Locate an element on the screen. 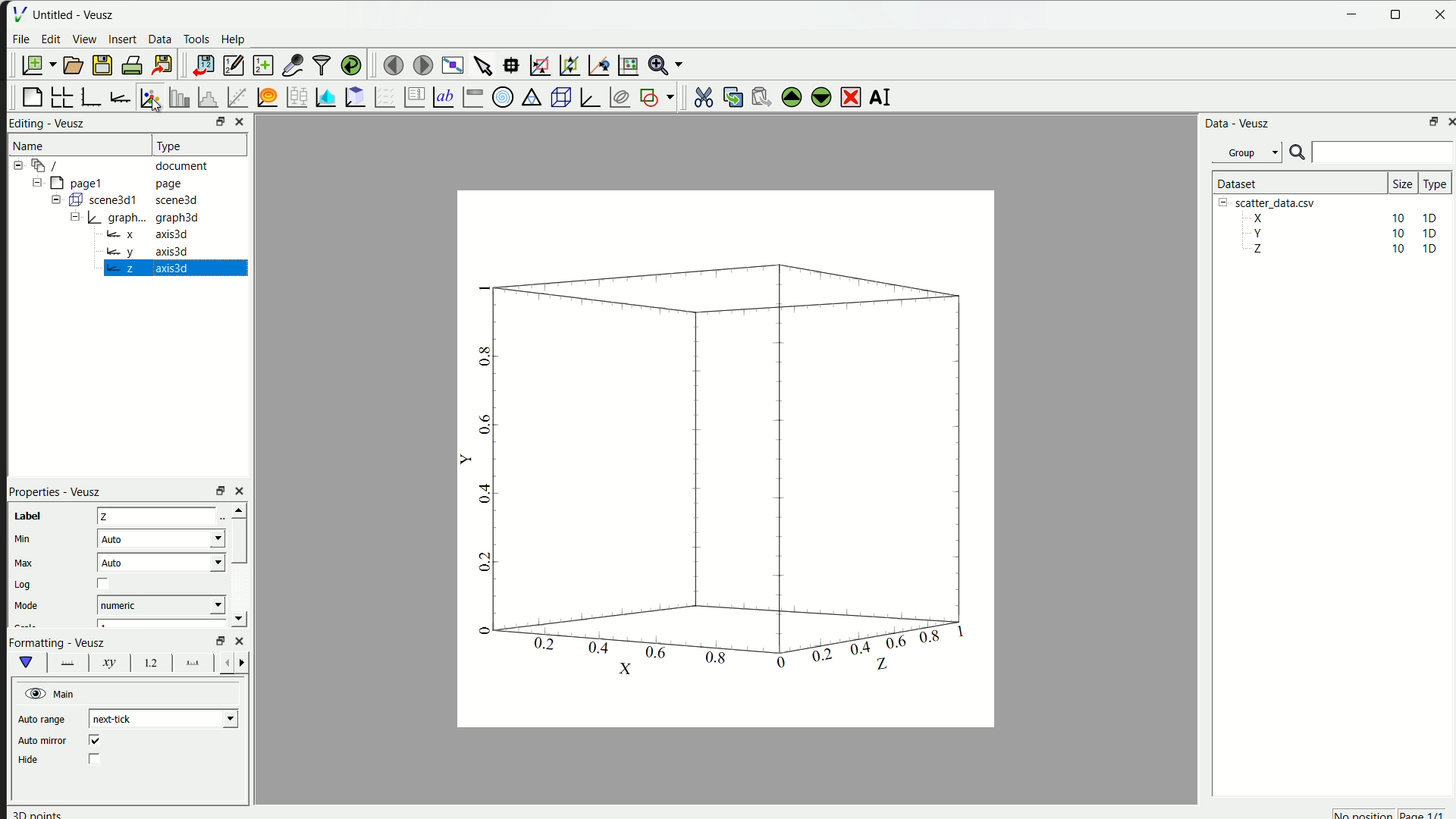  close is located at coordinates (1448, 121).